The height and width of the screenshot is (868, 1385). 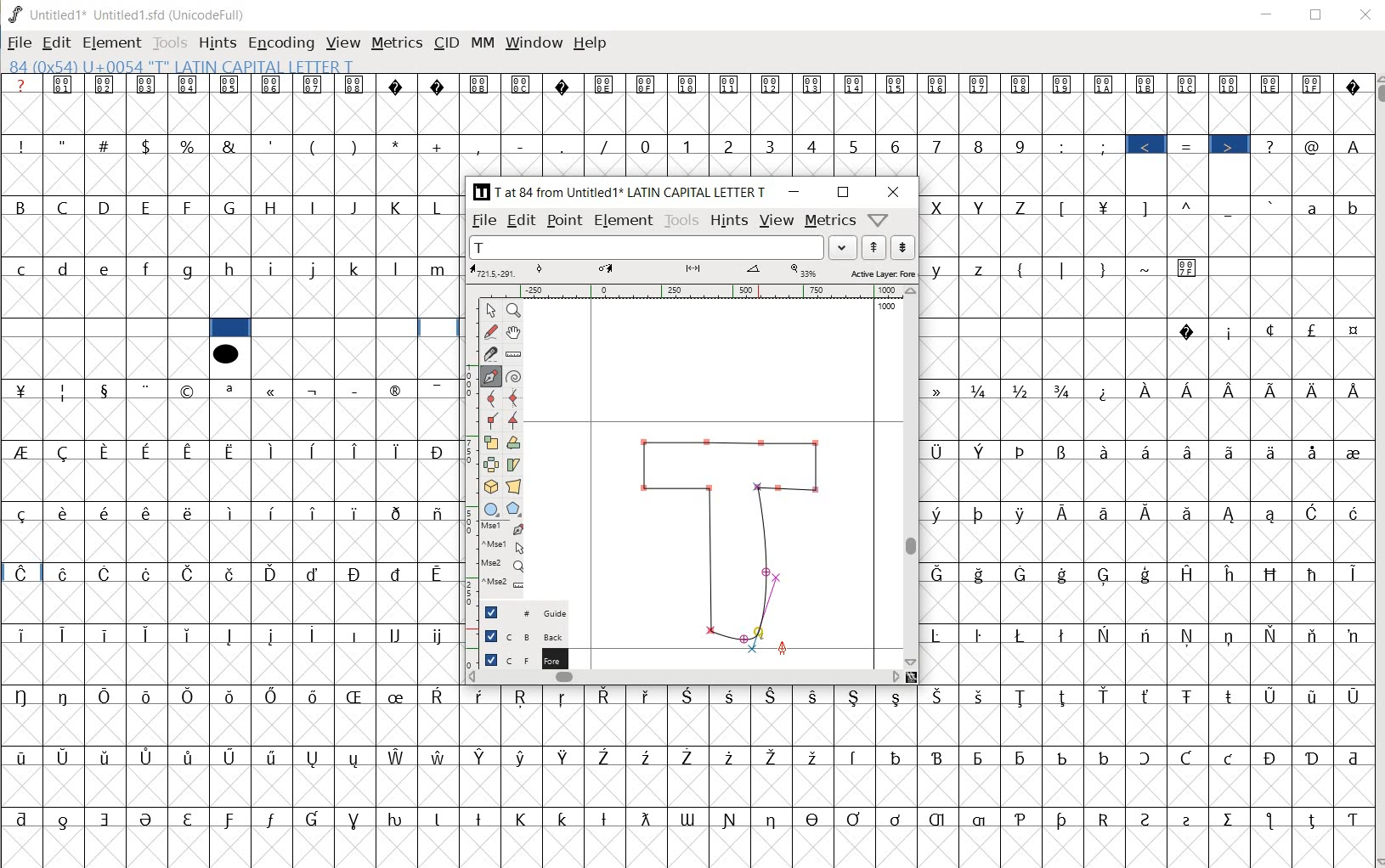 What do you see at coordinates (232, 821) in the screenshot?
I see `Symbol` at bounding box center [232, 821].